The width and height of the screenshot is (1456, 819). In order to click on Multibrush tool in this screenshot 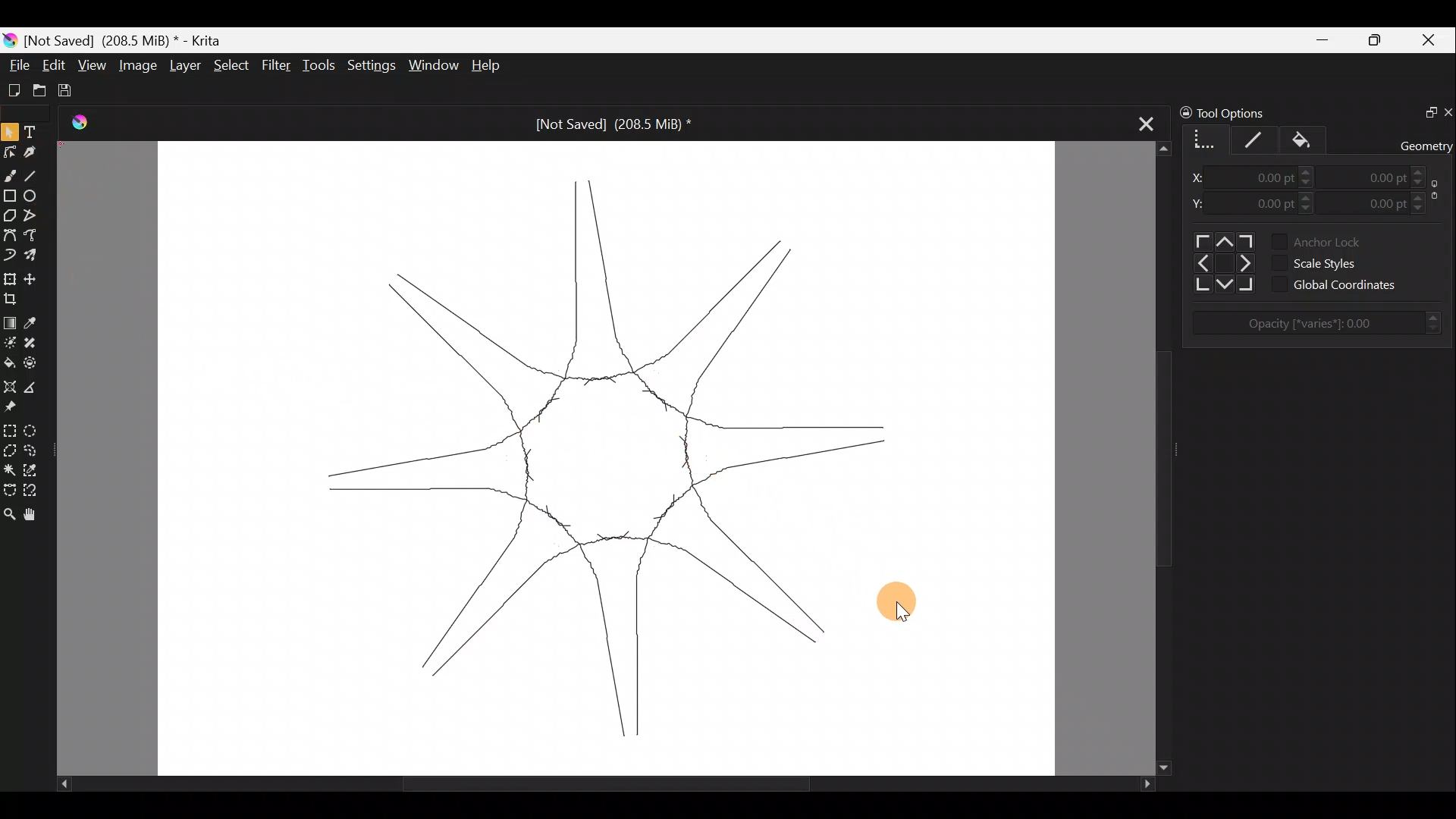, I will do `click(32, 259)`.